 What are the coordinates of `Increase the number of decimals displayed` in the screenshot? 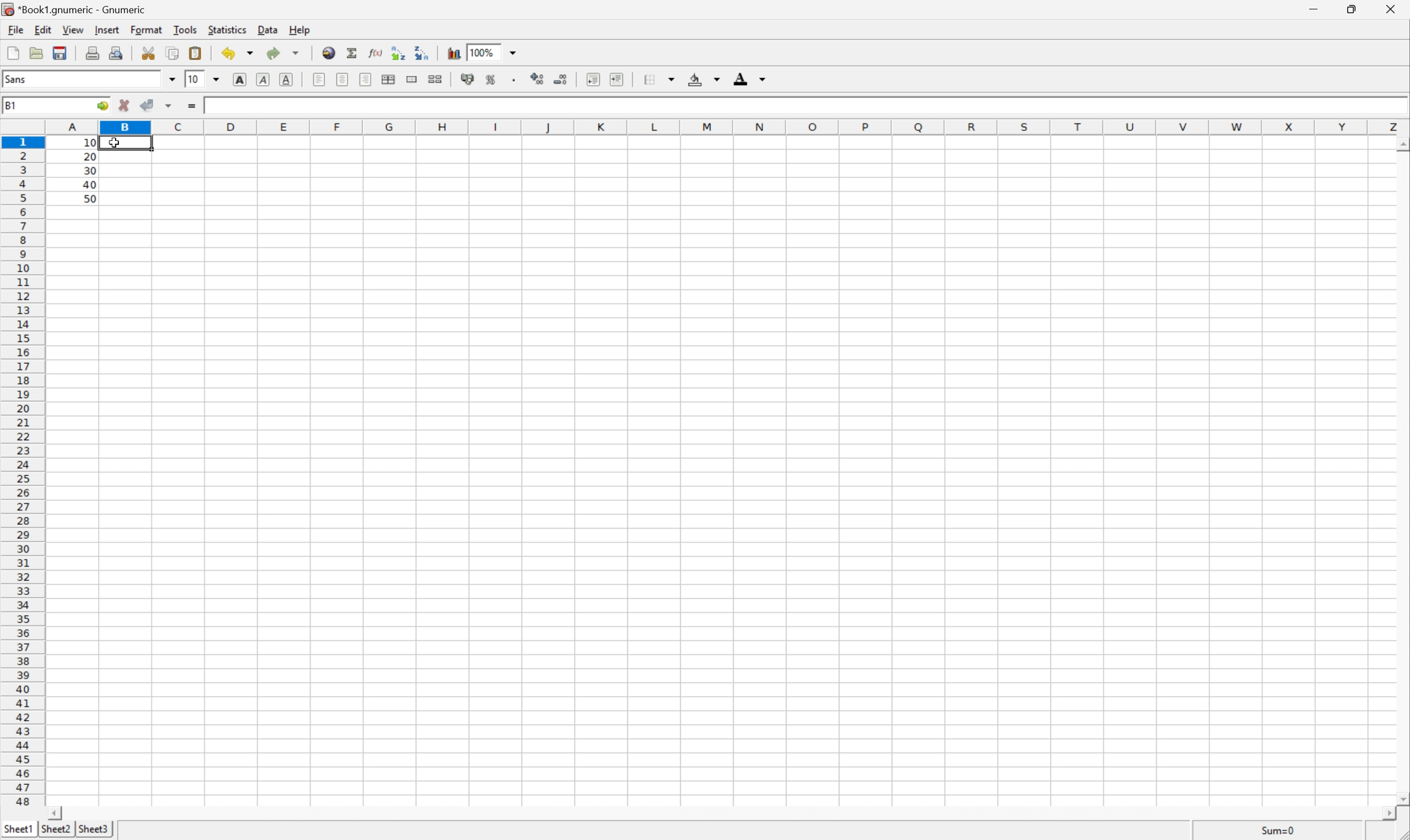 It's located at (536, 78).